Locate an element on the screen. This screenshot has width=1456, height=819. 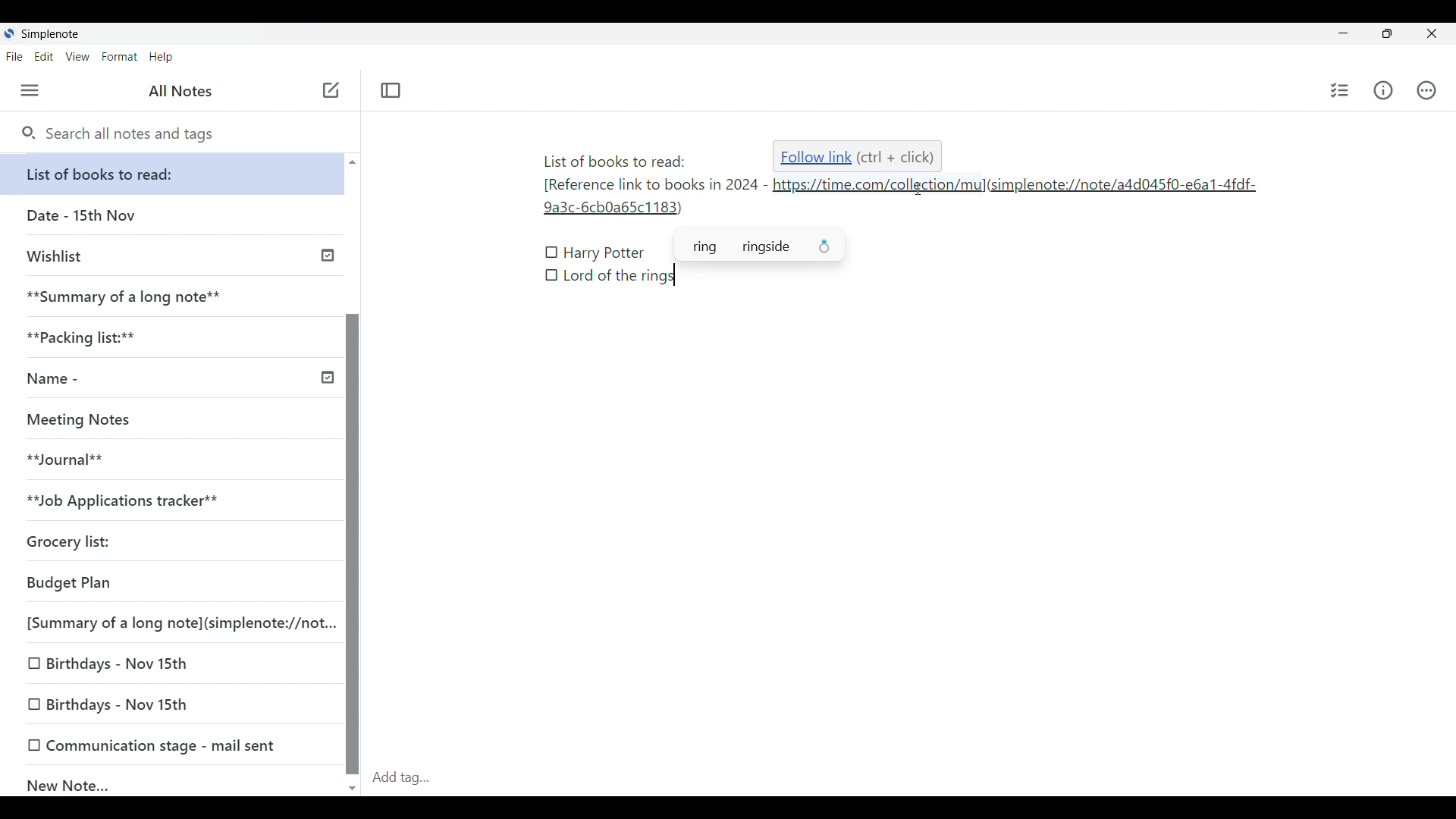
Close is located at coordinates (1432, 34).